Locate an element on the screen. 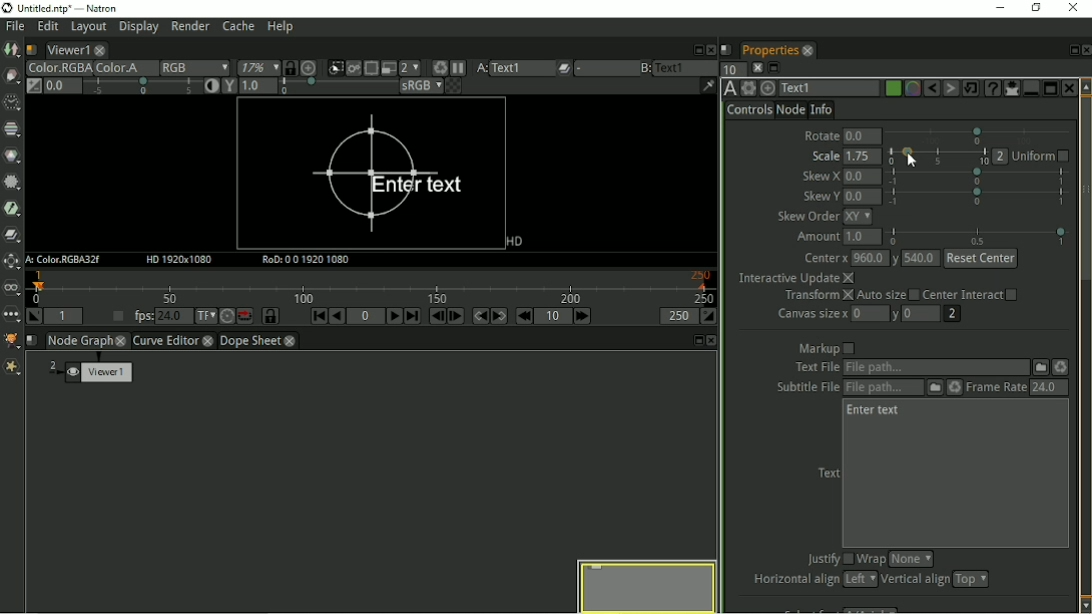 The width and height of the screenshot is (1092, 614). Set the playback out point is located at coordinates (708, 317).